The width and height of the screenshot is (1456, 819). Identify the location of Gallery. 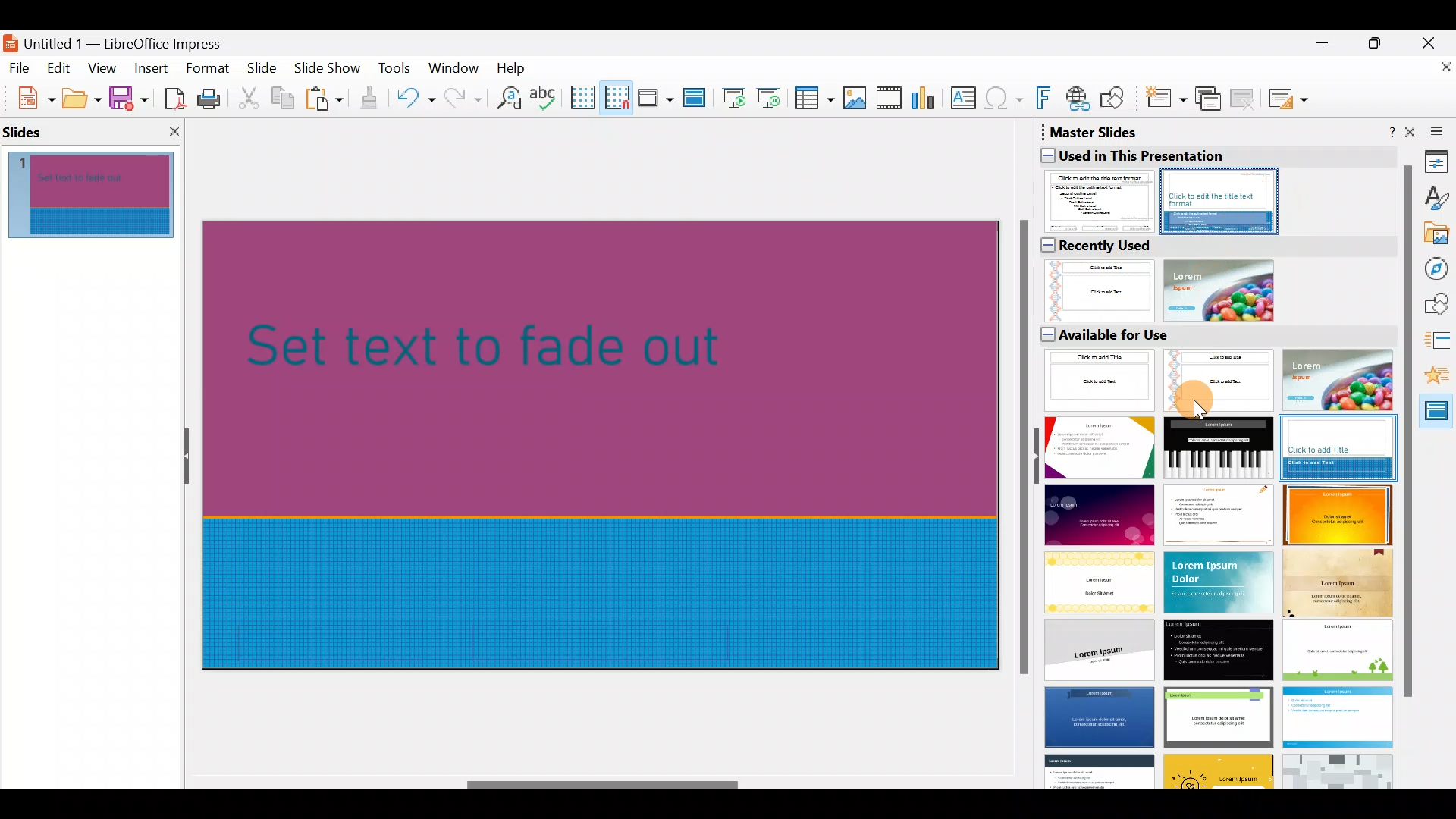
(1438, 236).